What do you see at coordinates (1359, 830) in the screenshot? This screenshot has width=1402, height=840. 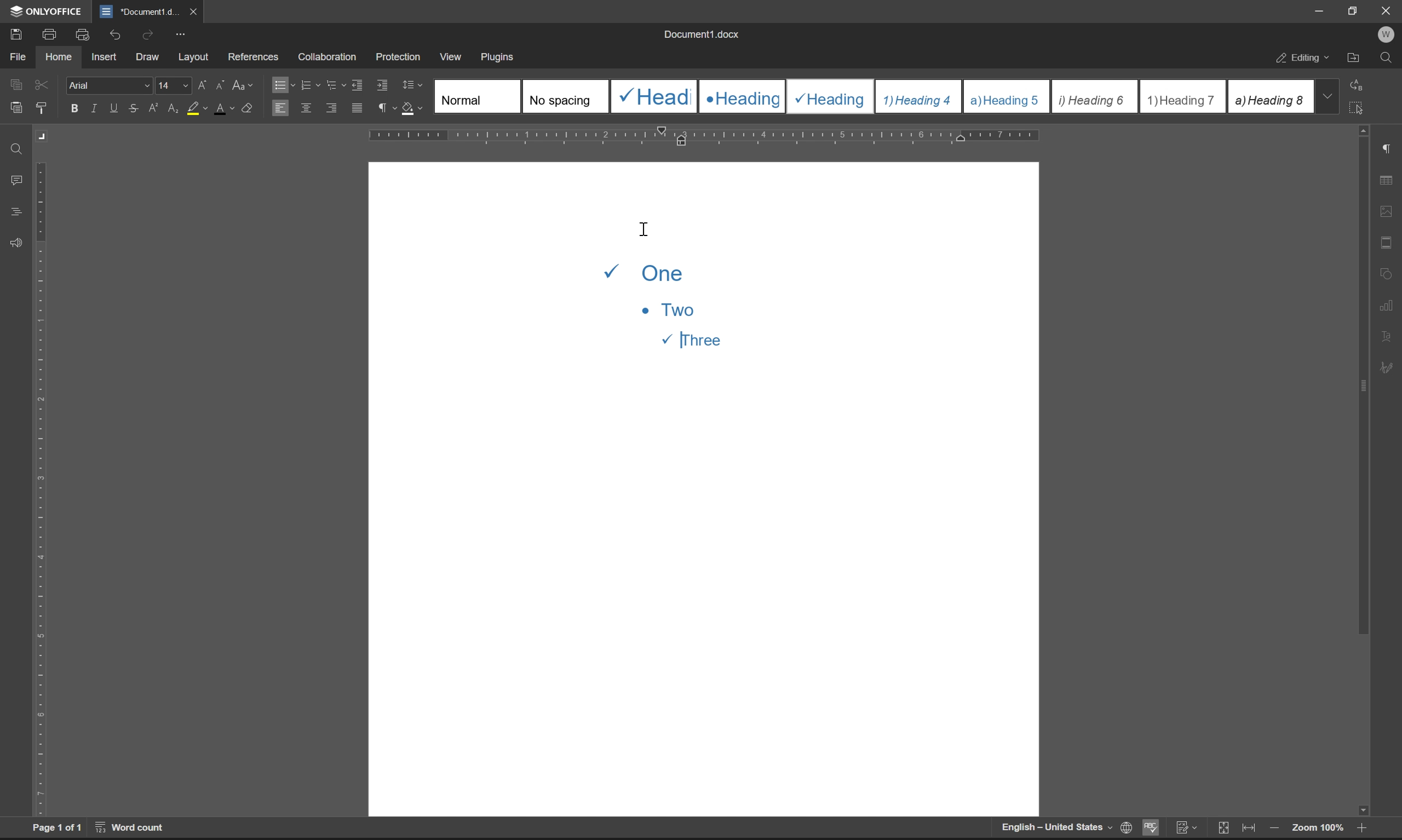 I see `zoom in` at bounding box center [1359, 830].